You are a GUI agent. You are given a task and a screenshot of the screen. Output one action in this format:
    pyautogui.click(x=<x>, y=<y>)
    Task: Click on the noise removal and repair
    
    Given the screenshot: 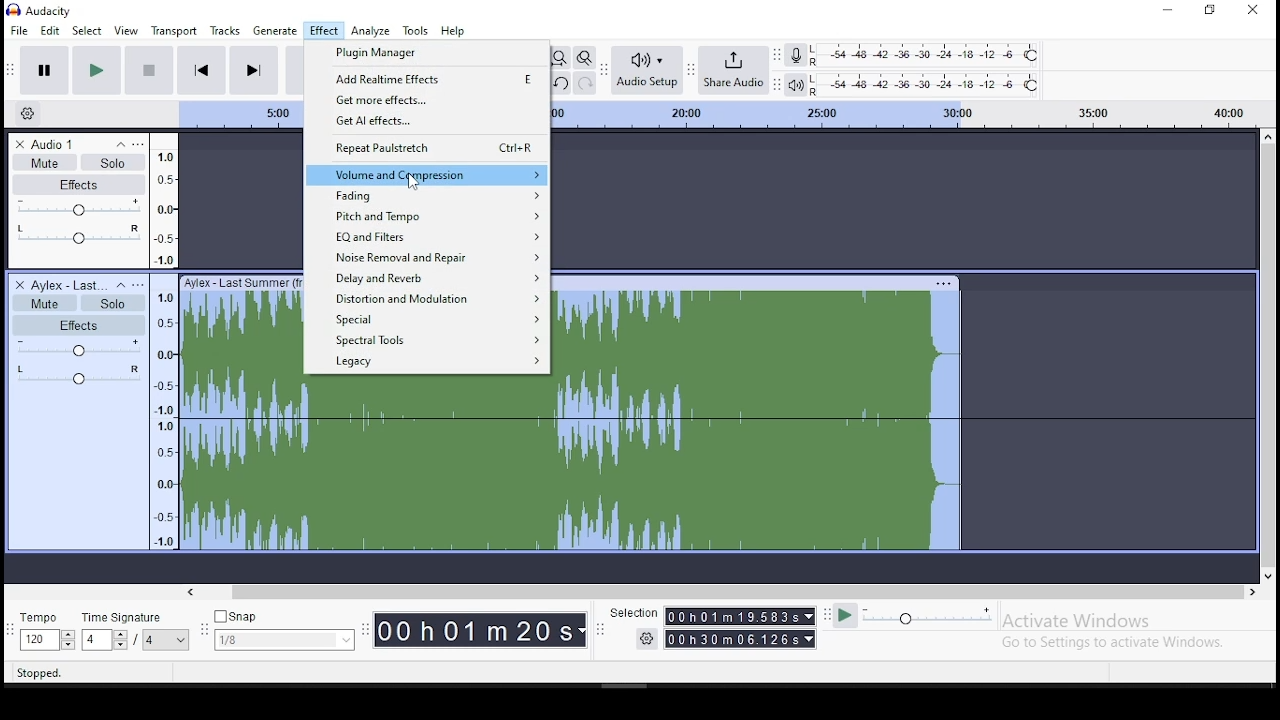 What is the action you would take?
    pyautogui.click(x=426, y=257)
    